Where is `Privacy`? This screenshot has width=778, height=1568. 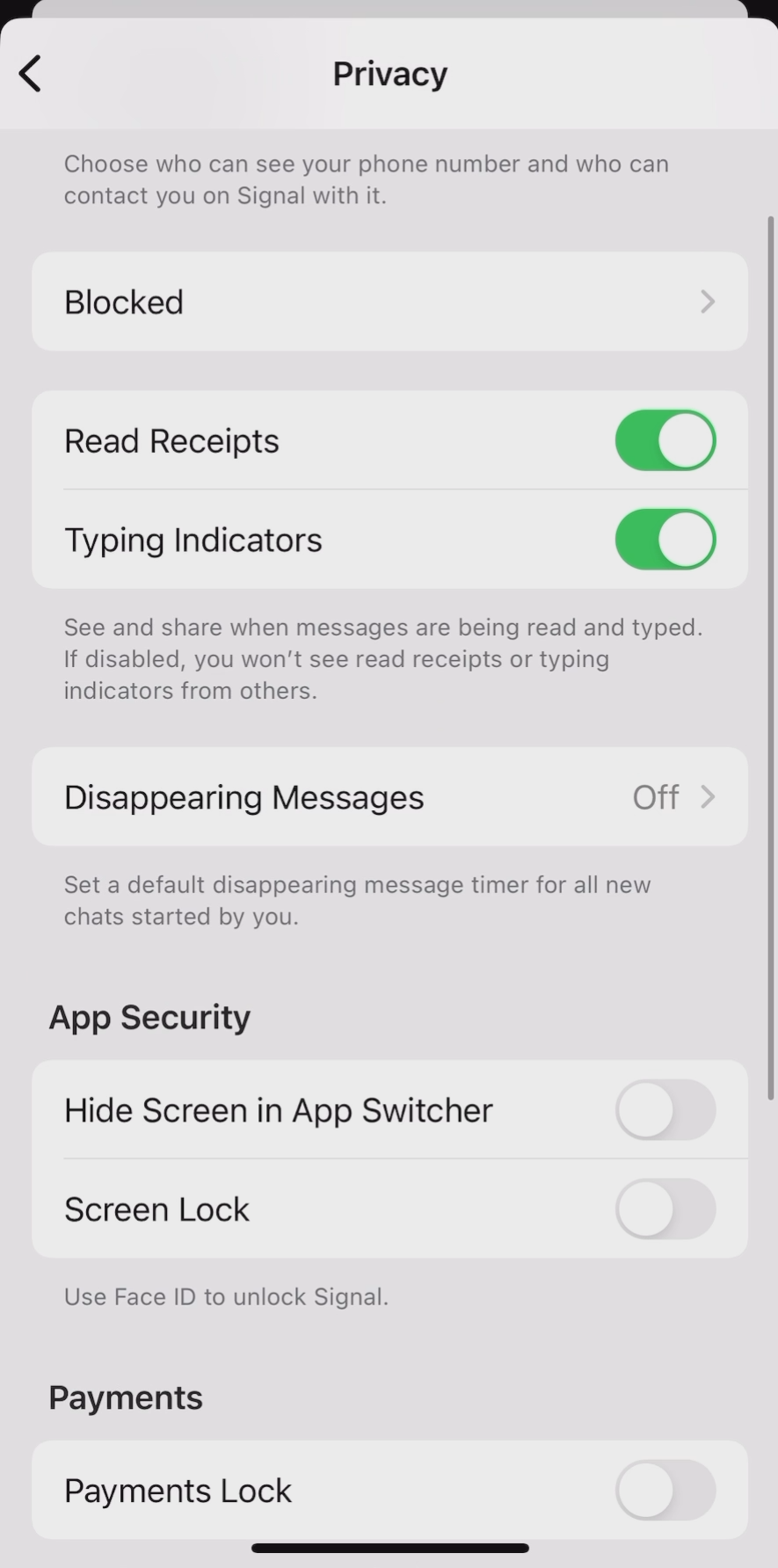
Privacy is located at coordinates (392, 81).